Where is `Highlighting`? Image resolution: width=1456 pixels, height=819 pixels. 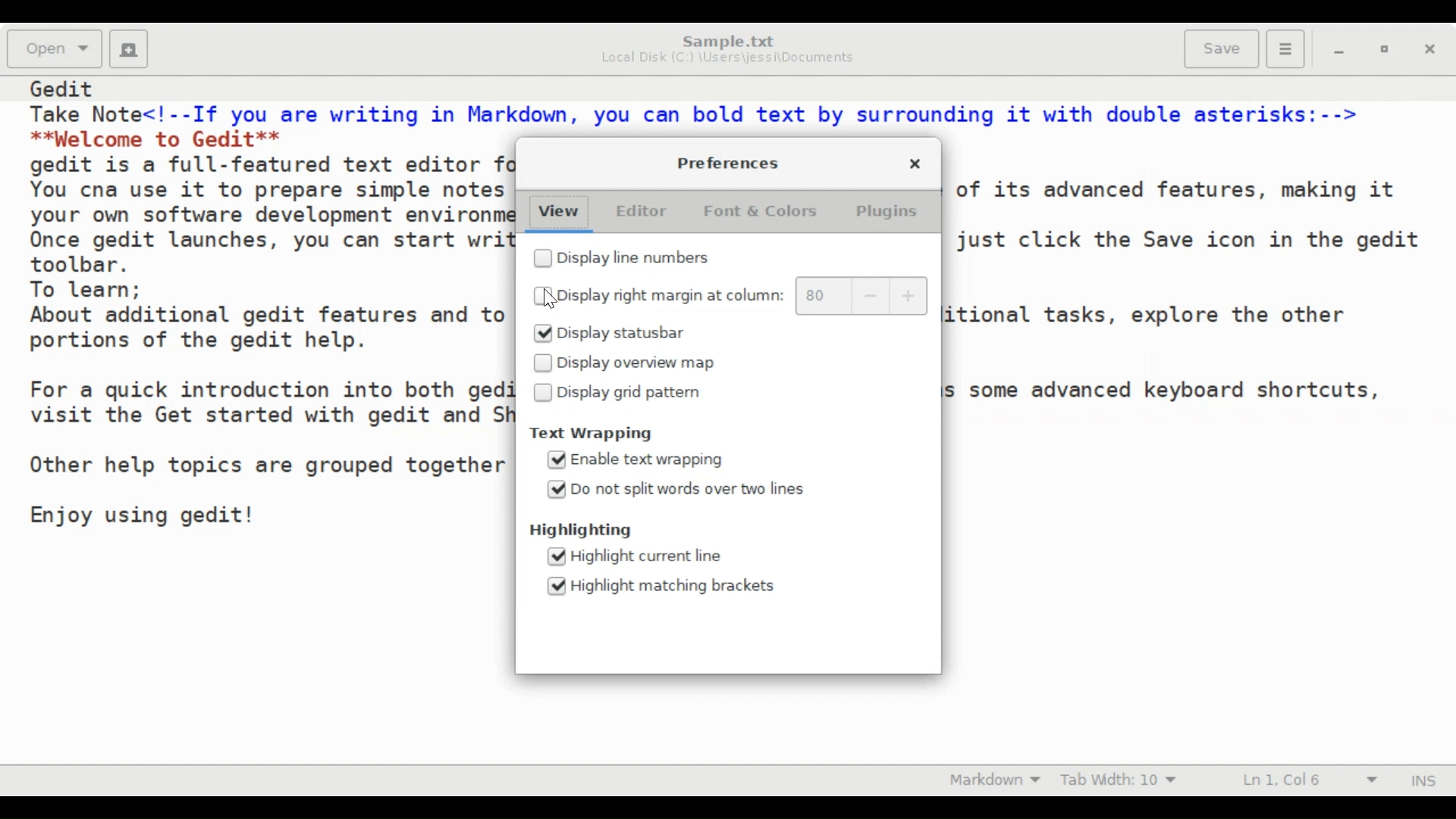
Highlighting is located at coordinates (583, 529).